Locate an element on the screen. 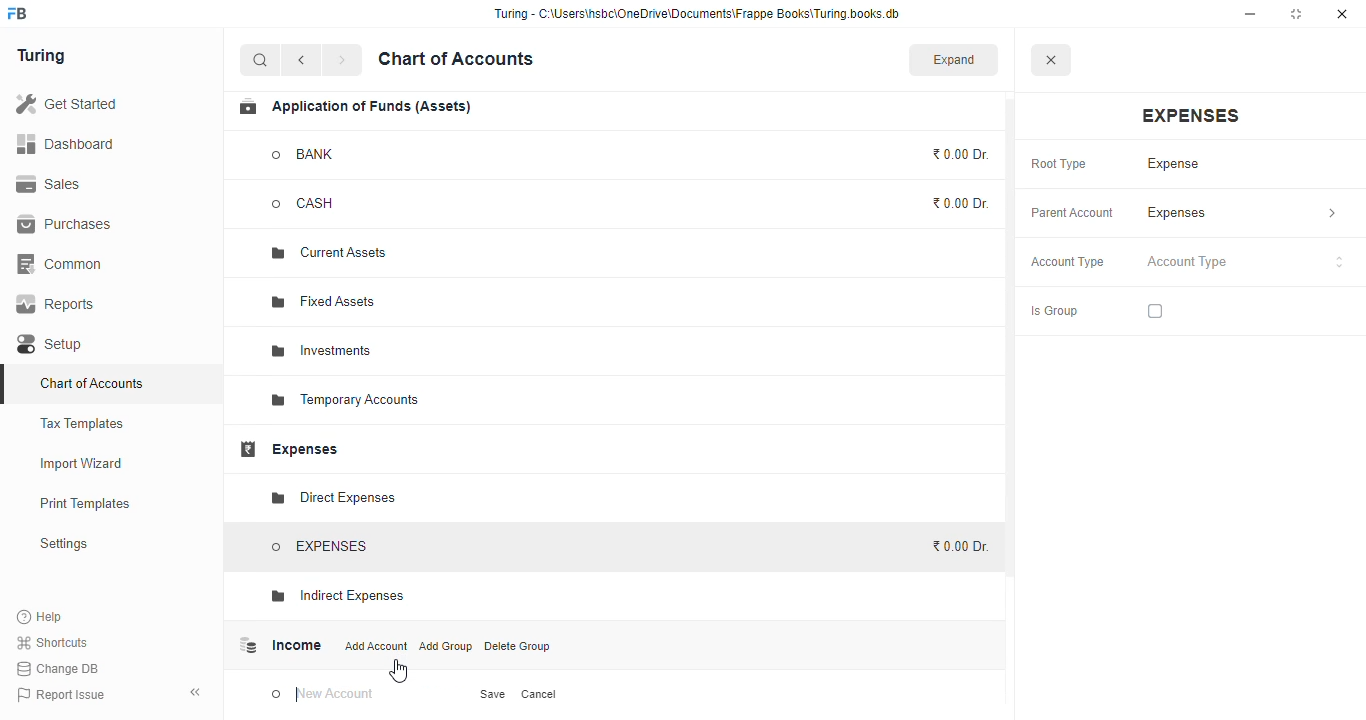  report issue is located at coordinates (60, 694).